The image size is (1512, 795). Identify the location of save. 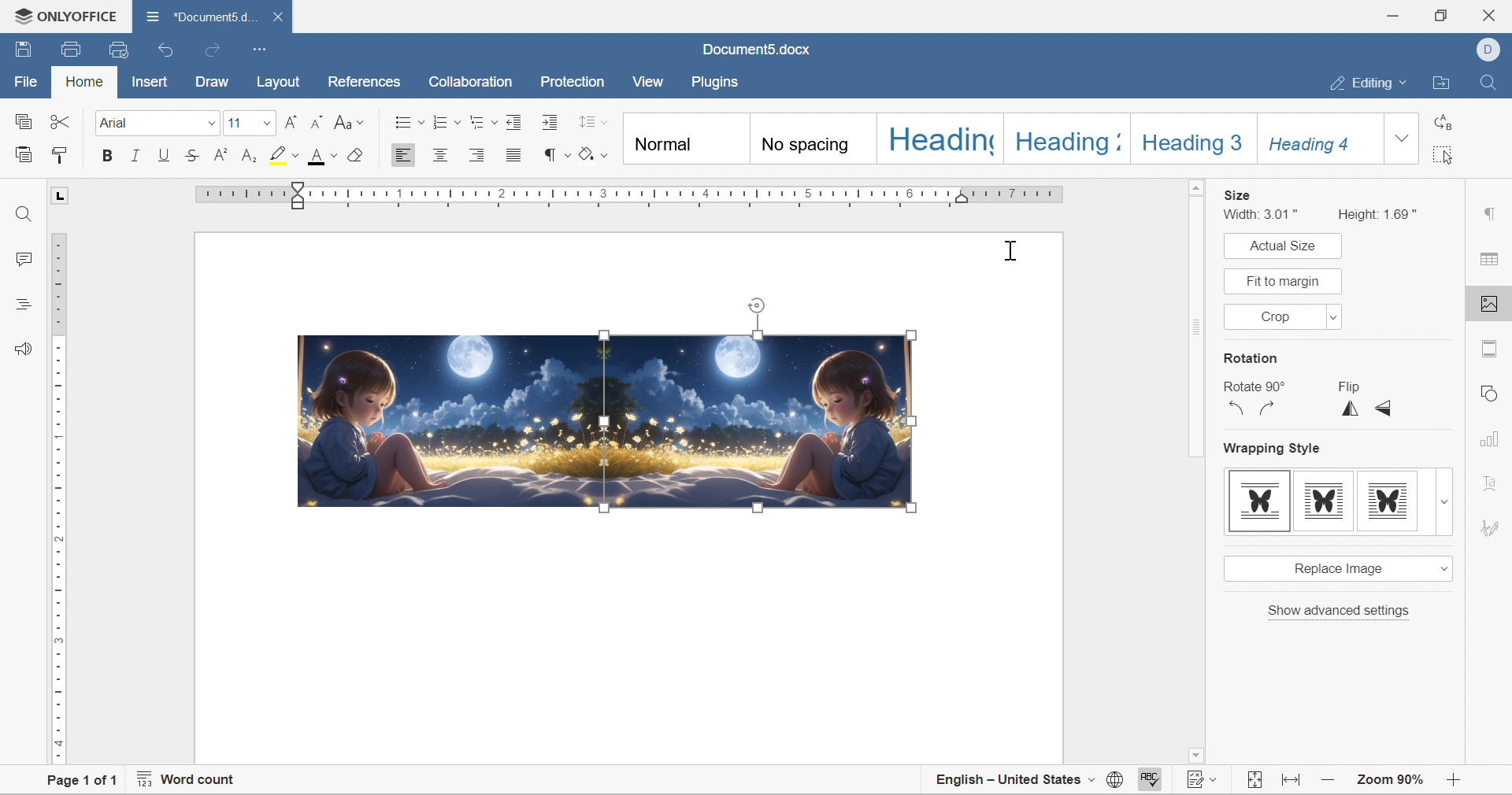
(21, 49).